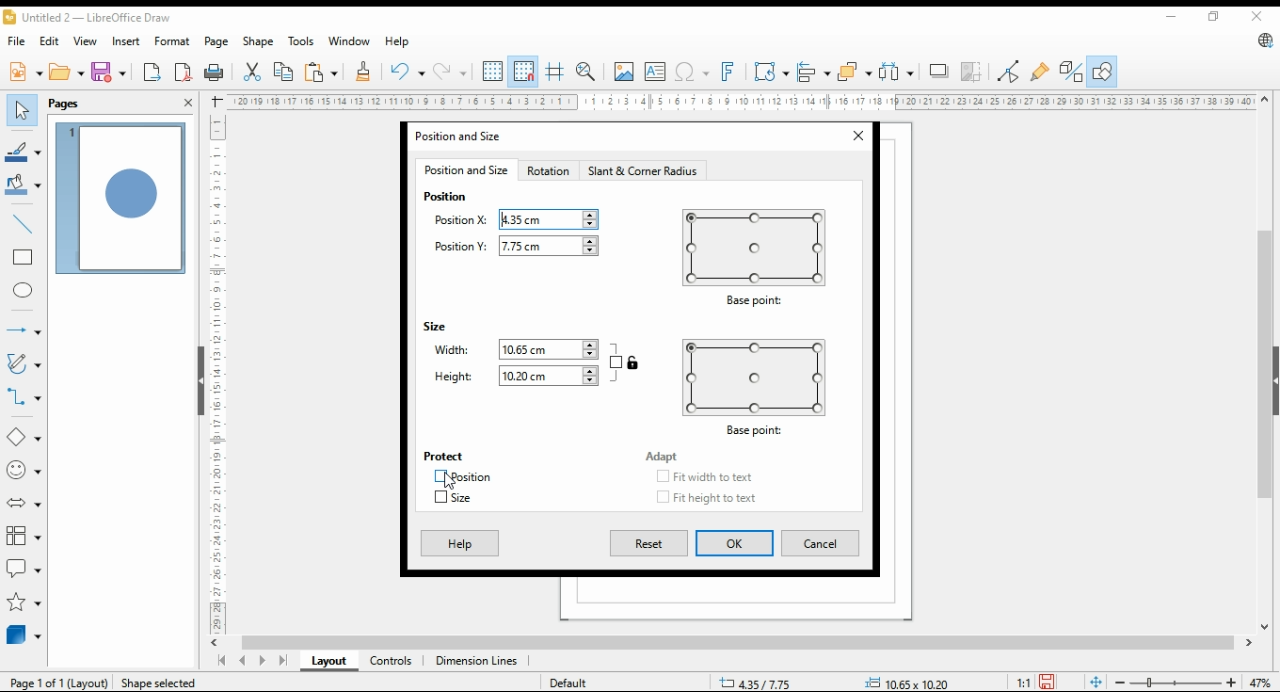 The image size is (1280, 692). Describe the element at coordinates (518, 219) in the screenshot. I see `position X:4.35cm` at that location.